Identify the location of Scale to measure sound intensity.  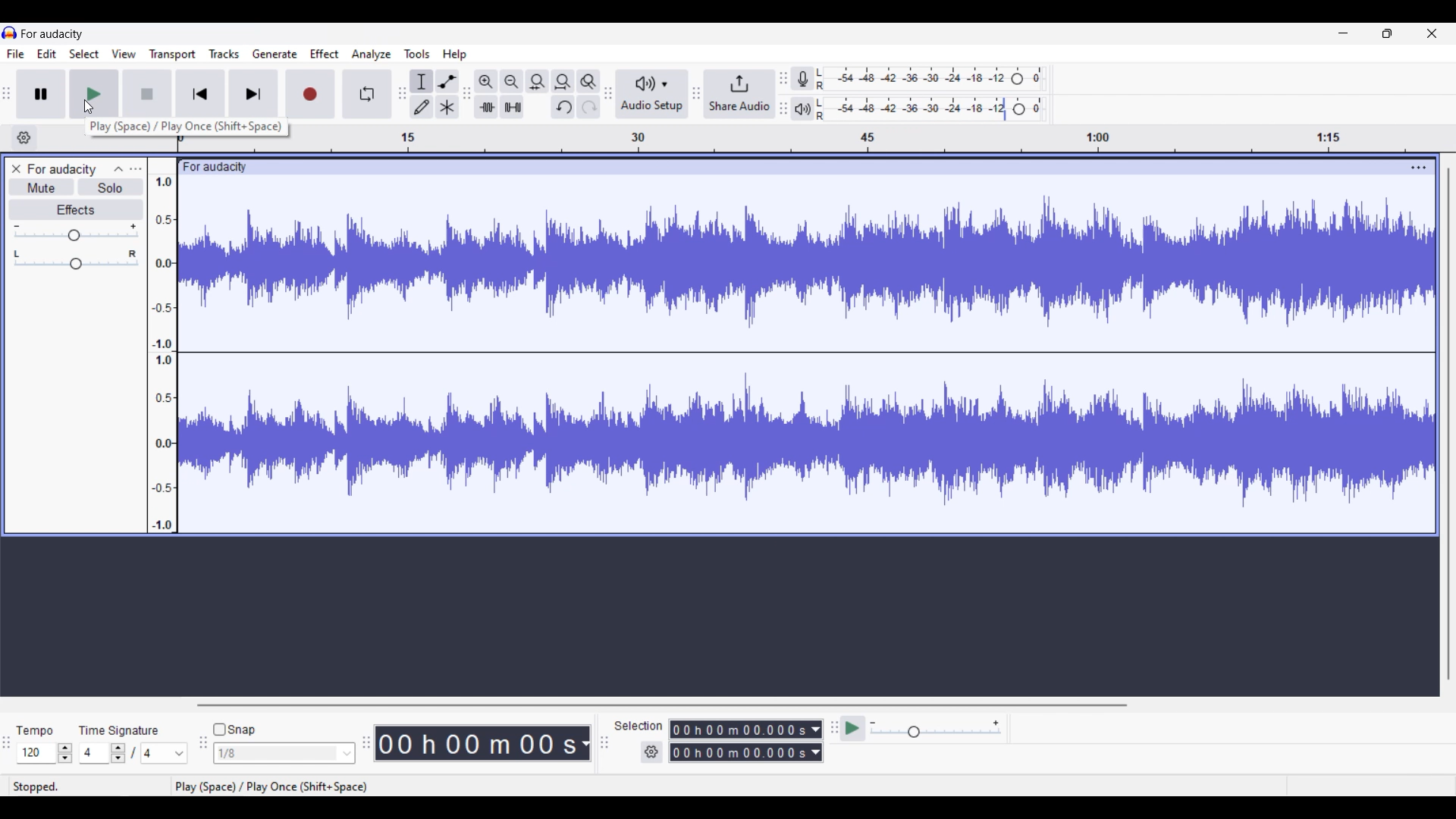
(163, 353).